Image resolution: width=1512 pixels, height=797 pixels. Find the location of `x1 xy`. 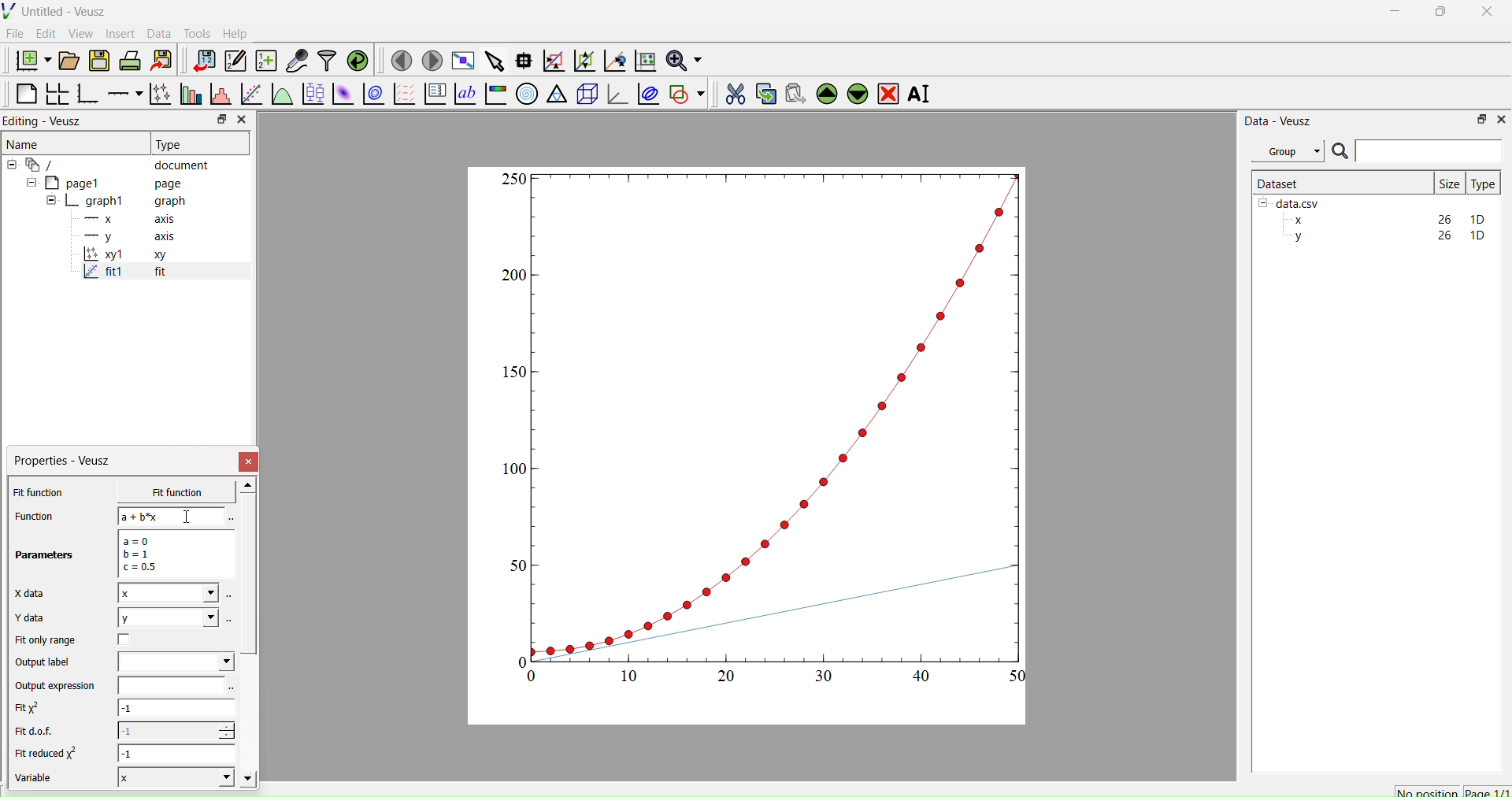

x1 xy is located at coordinates (124, 256).